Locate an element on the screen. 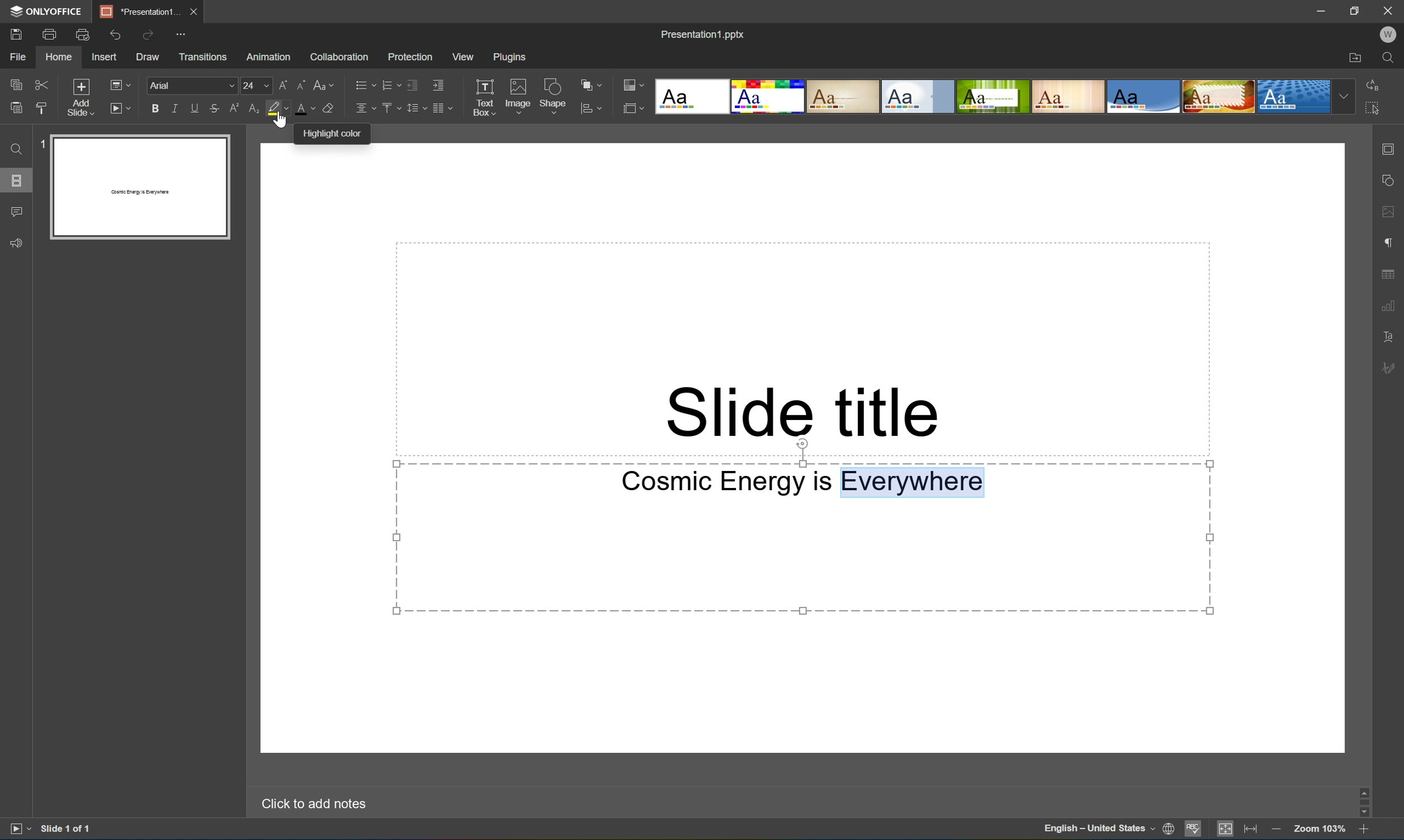  Insert is located at coordinates (105, 57).